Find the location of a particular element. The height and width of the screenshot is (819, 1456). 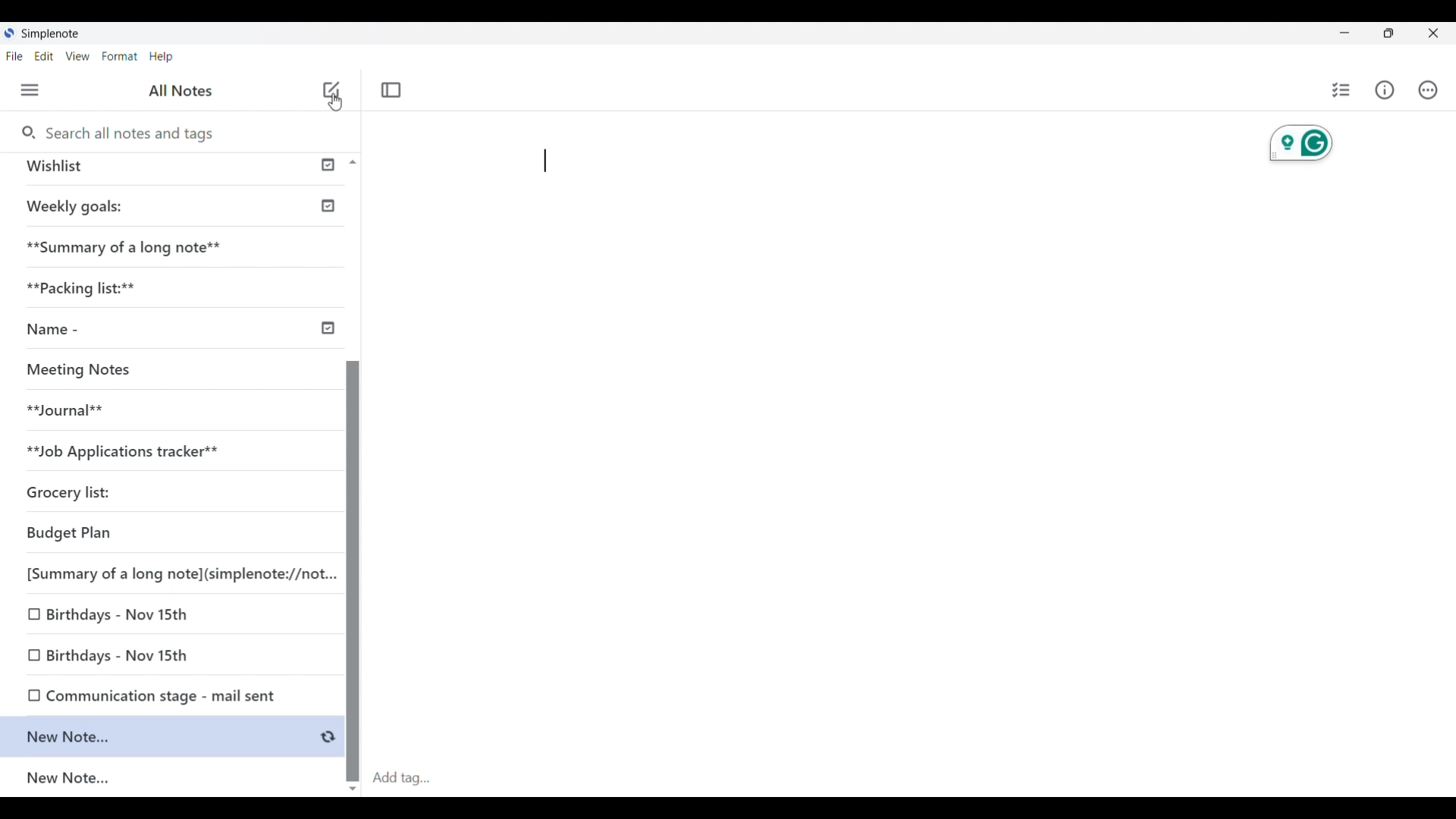

Cursor position unchanged is located at coordinates (334, 103).